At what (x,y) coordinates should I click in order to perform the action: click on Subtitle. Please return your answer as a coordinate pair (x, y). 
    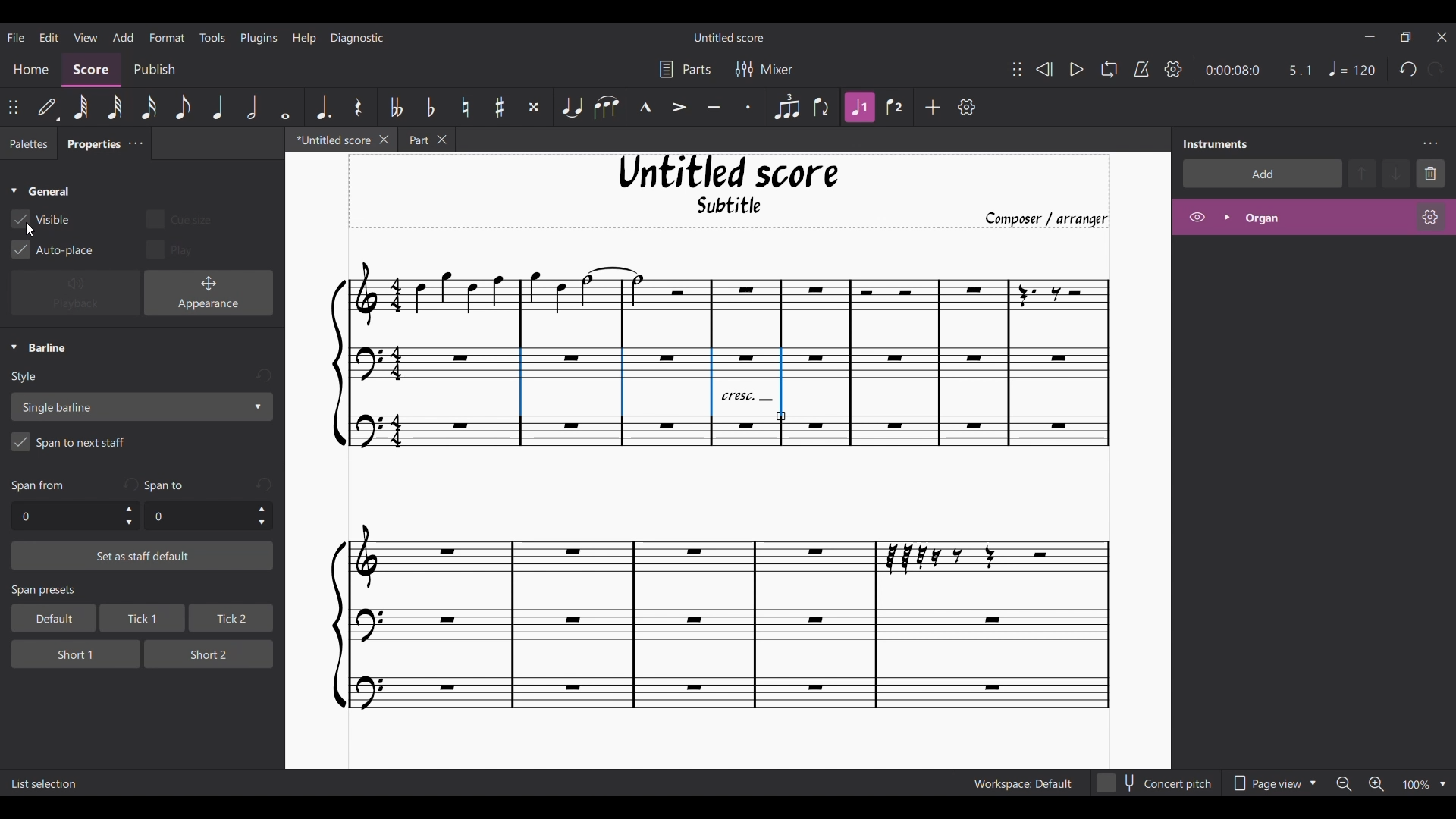
    Looking at the image, I should click on (731, 209).